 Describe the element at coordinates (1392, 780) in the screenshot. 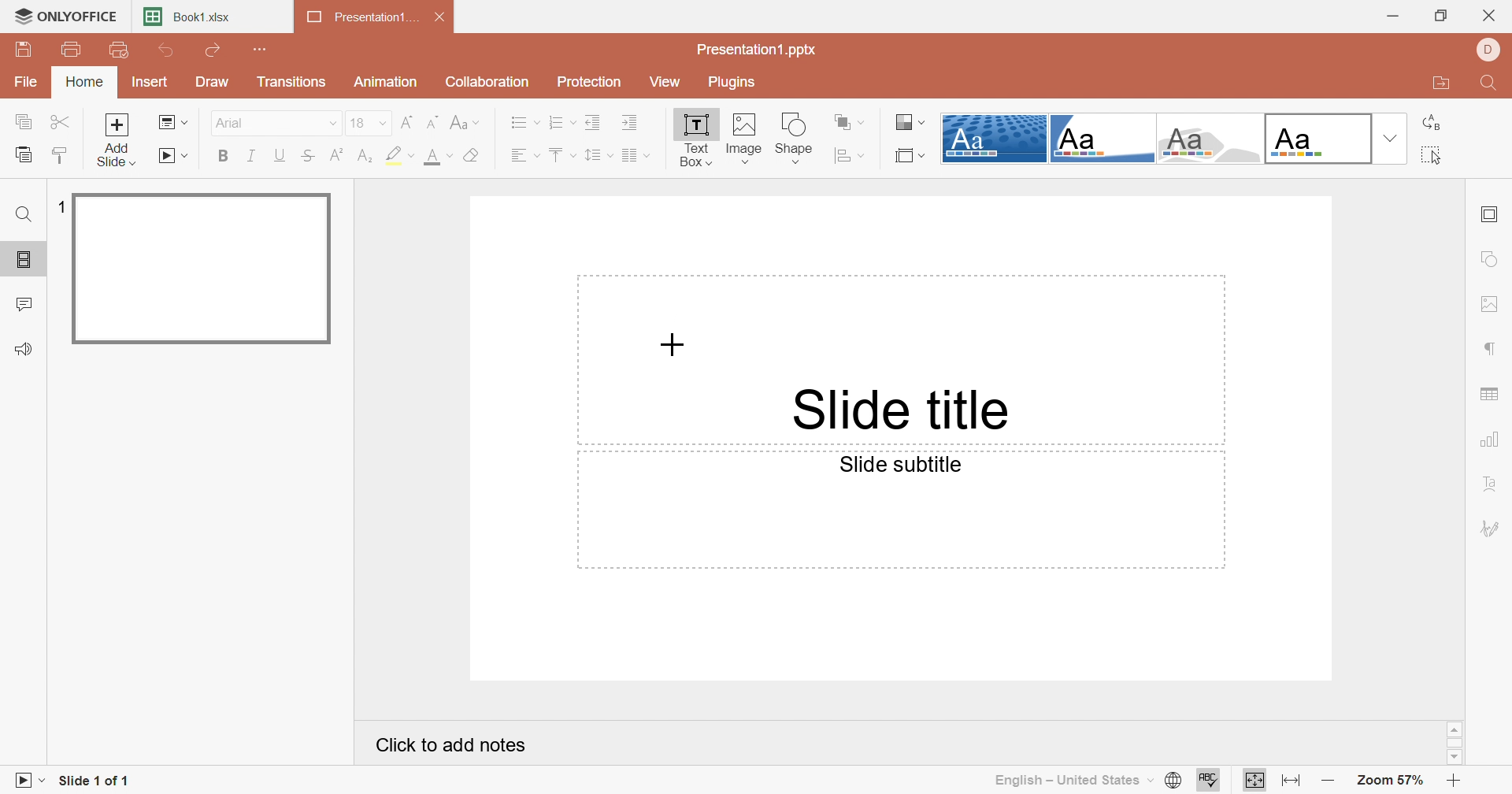

I see `Zoom 57%` at that location.